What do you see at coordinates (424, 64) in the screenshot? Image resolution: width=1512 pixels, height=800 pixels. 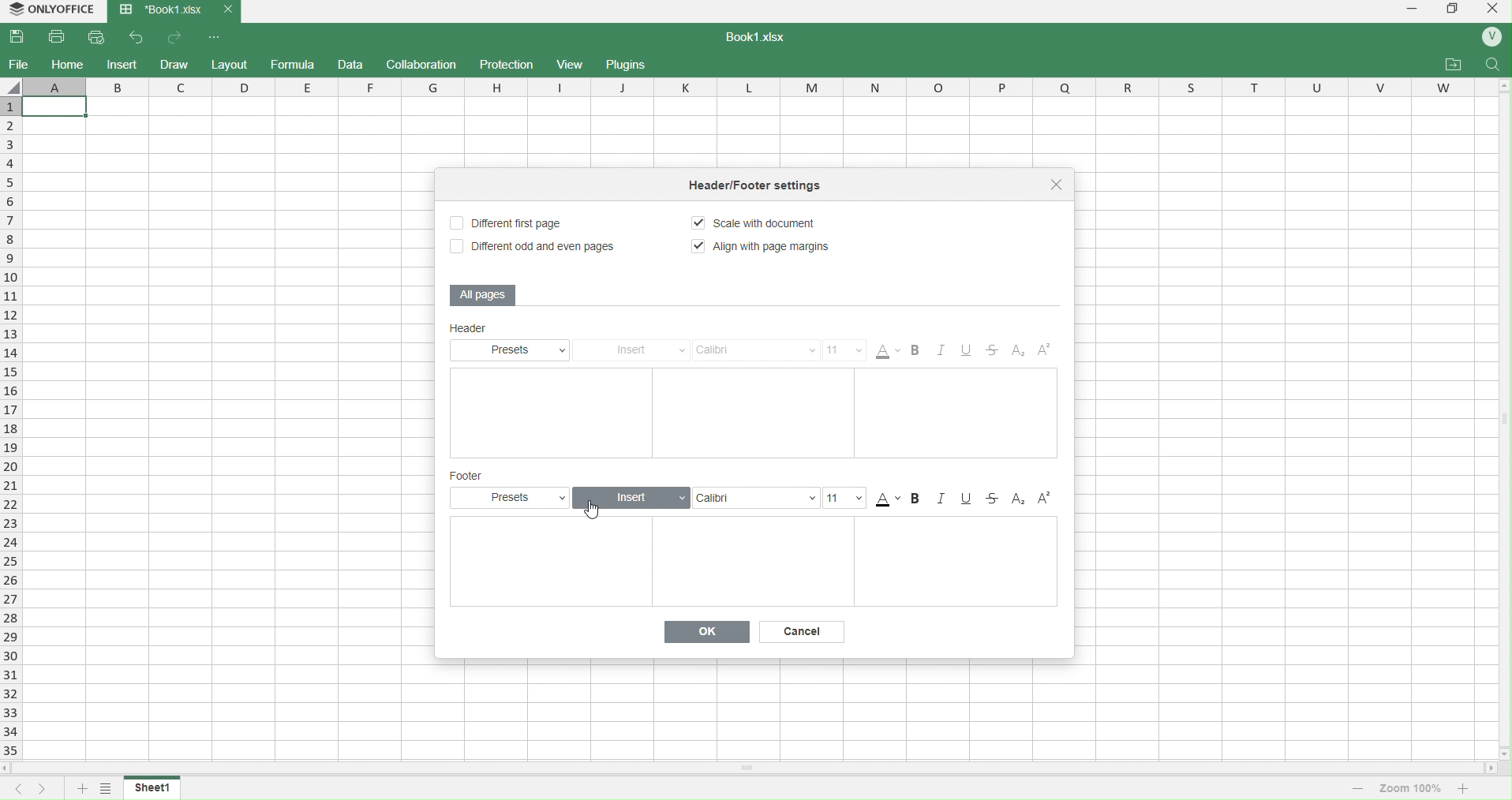 I see `collaboration` at bounding box center [424, 64].